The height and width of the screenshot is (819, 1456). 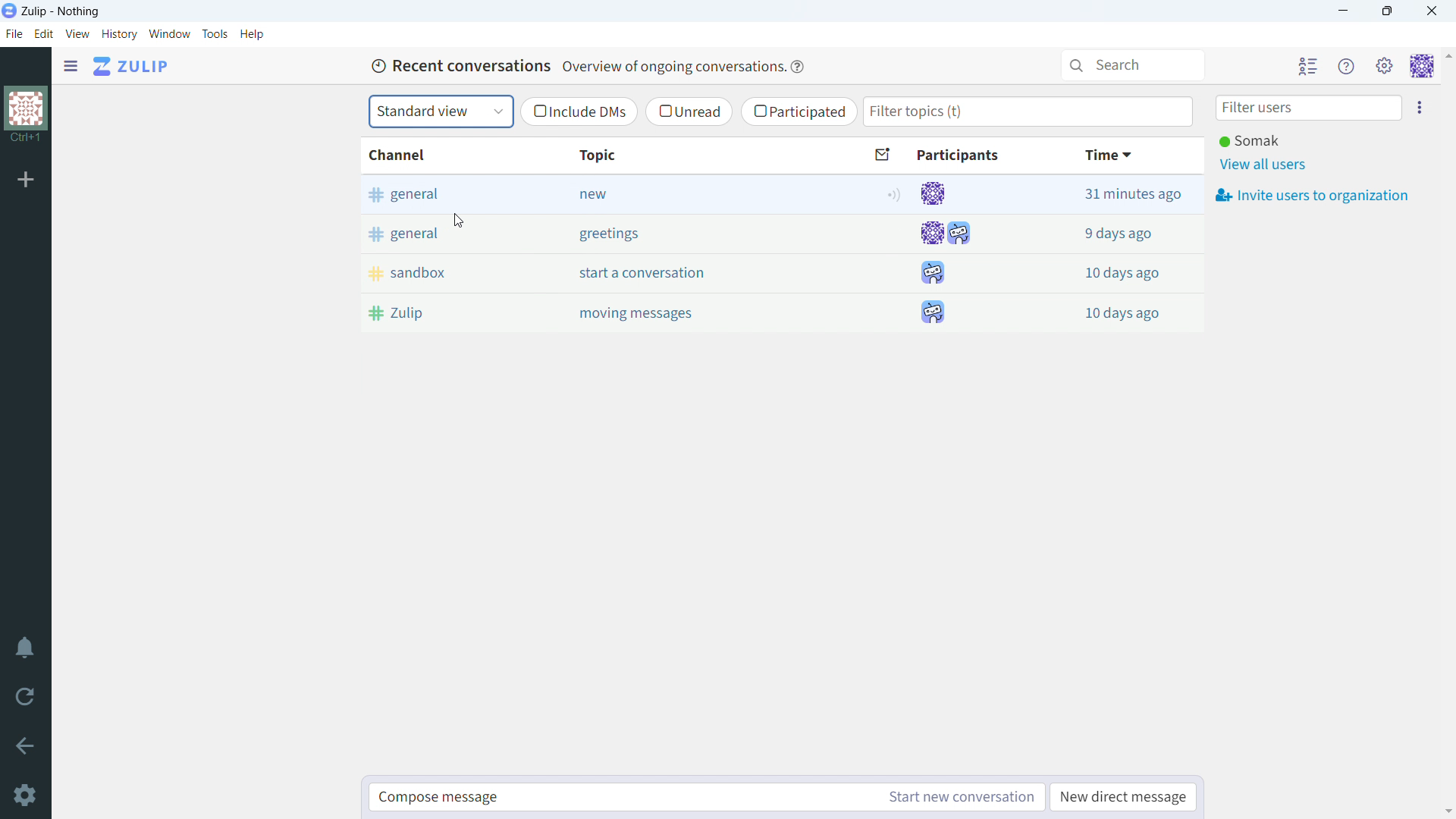 I want to click on close, so click(x=1430, y=11).